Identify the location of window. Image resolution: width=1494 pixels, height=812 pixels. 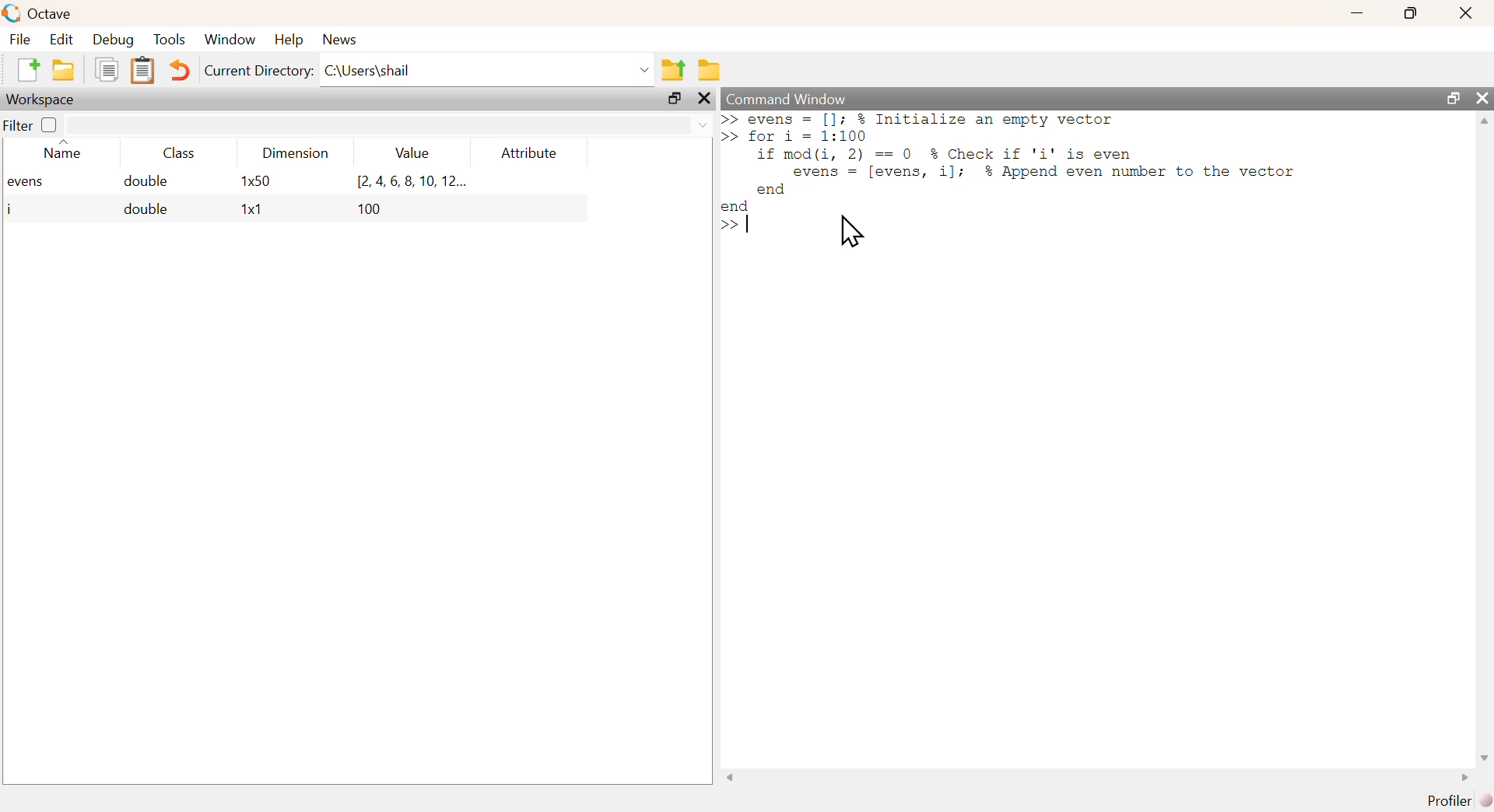
(231, 40).